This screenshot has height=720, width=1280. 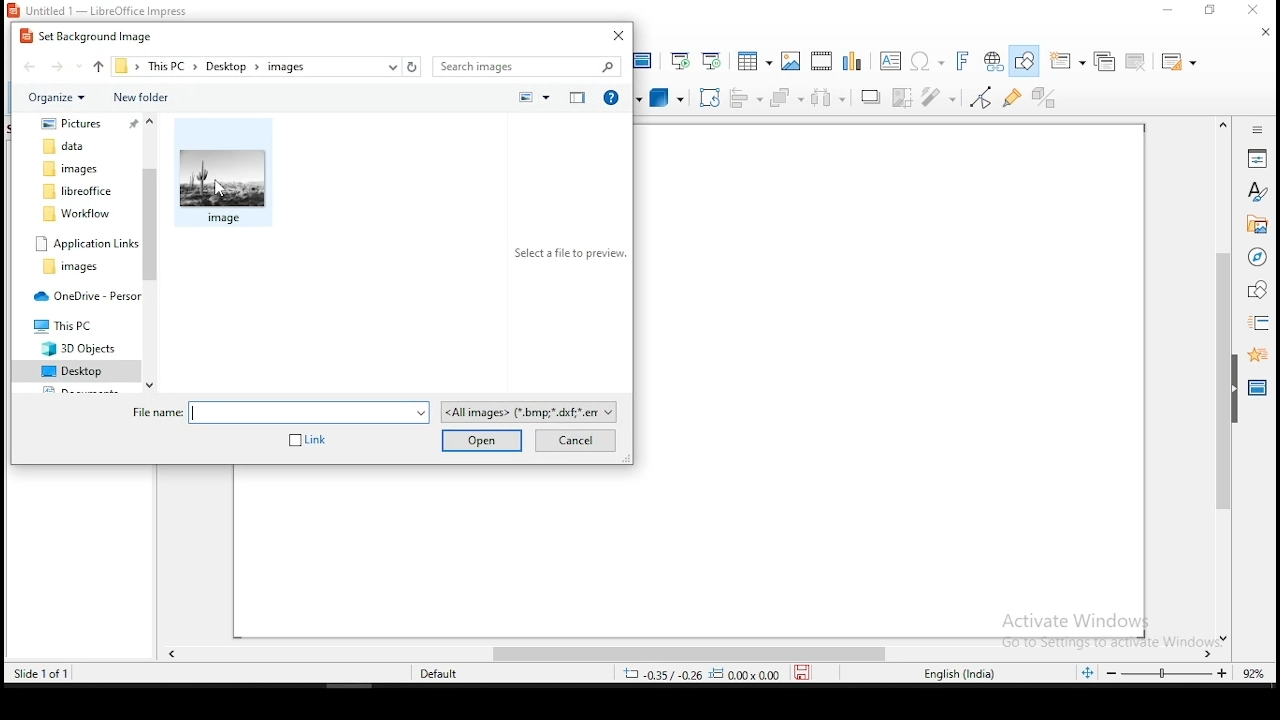 What do you see at coordinates (1264, 31) in the screenshot?
I see `close` at bounding box center [1264, 31].